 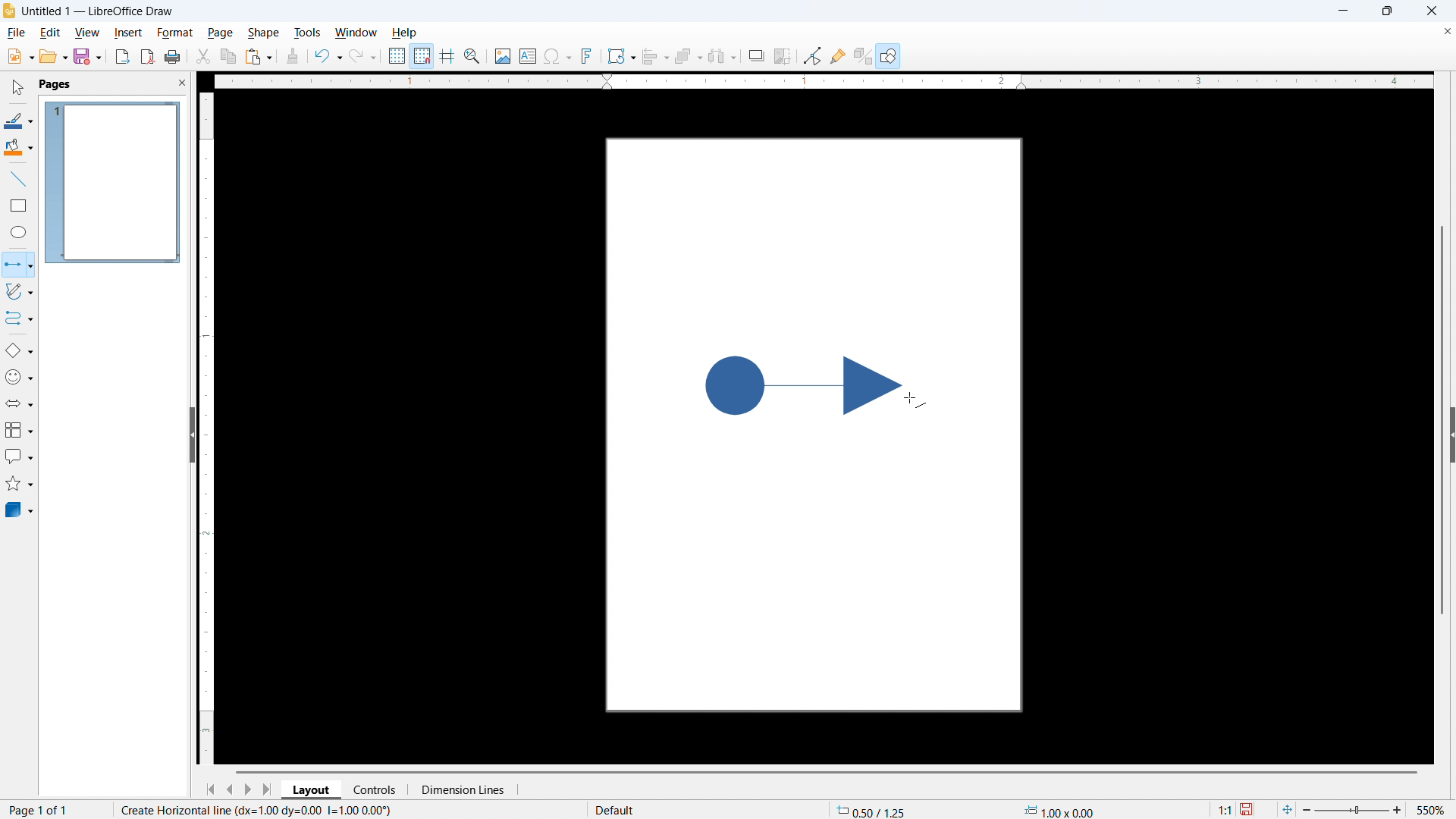 I want to click on New , so click(x=20, y=57).